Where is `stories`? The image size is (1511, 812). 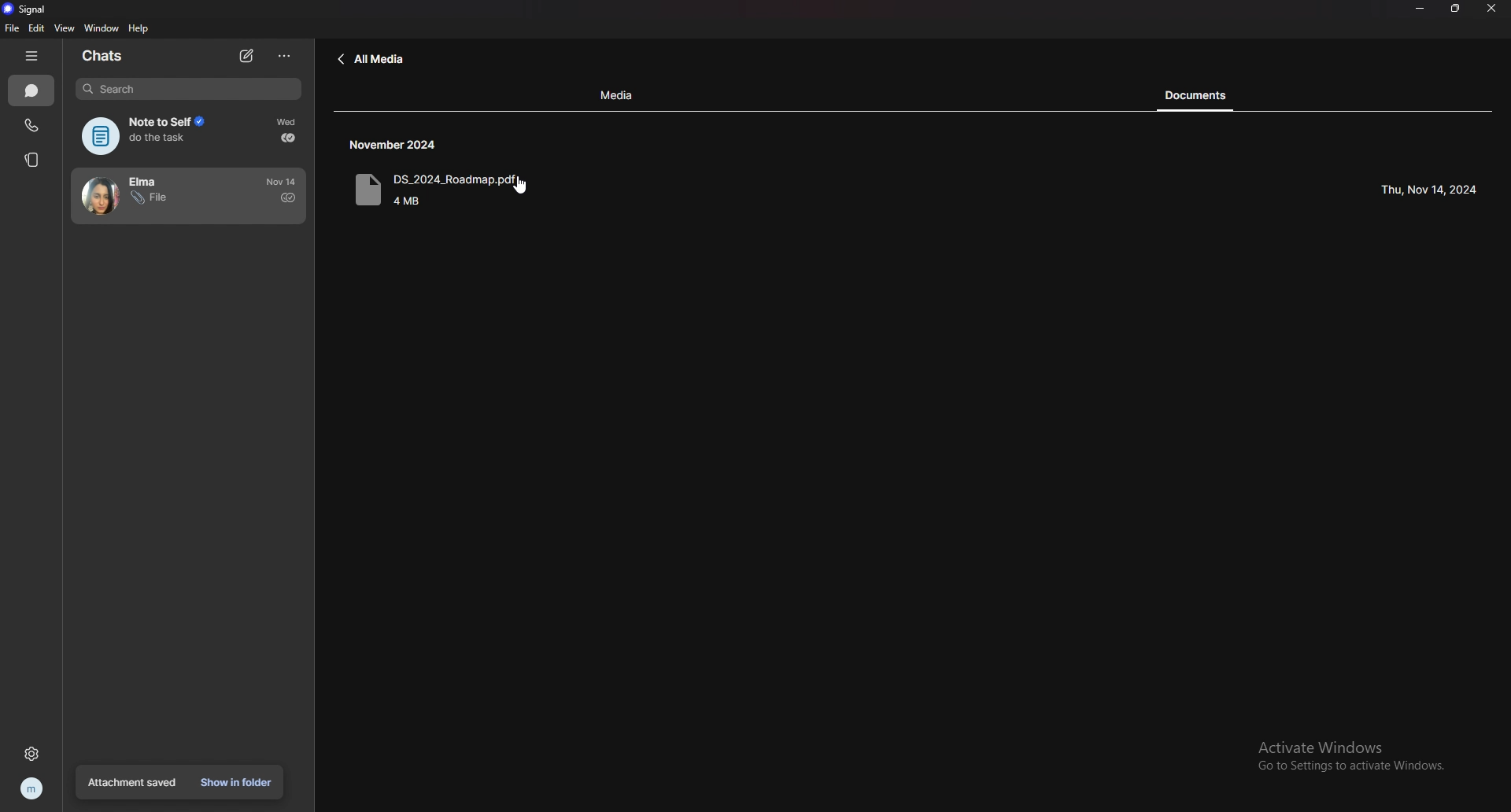 stories is located at coordinates (33, 160).